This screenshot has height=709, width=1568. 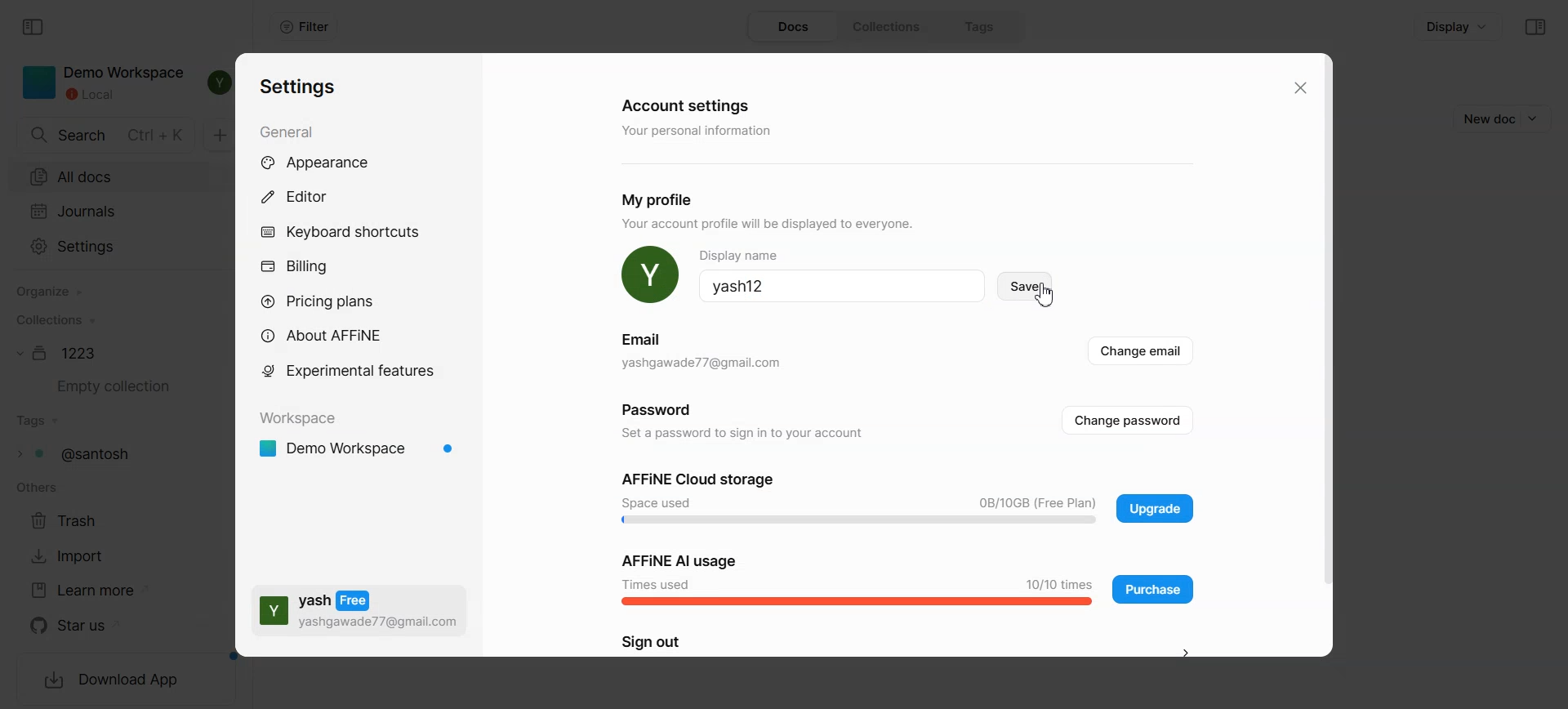 What do you see at coordinates (701, 132) in the screenshot?
I see `‘Your personal information` at bounding box center [701, 132].